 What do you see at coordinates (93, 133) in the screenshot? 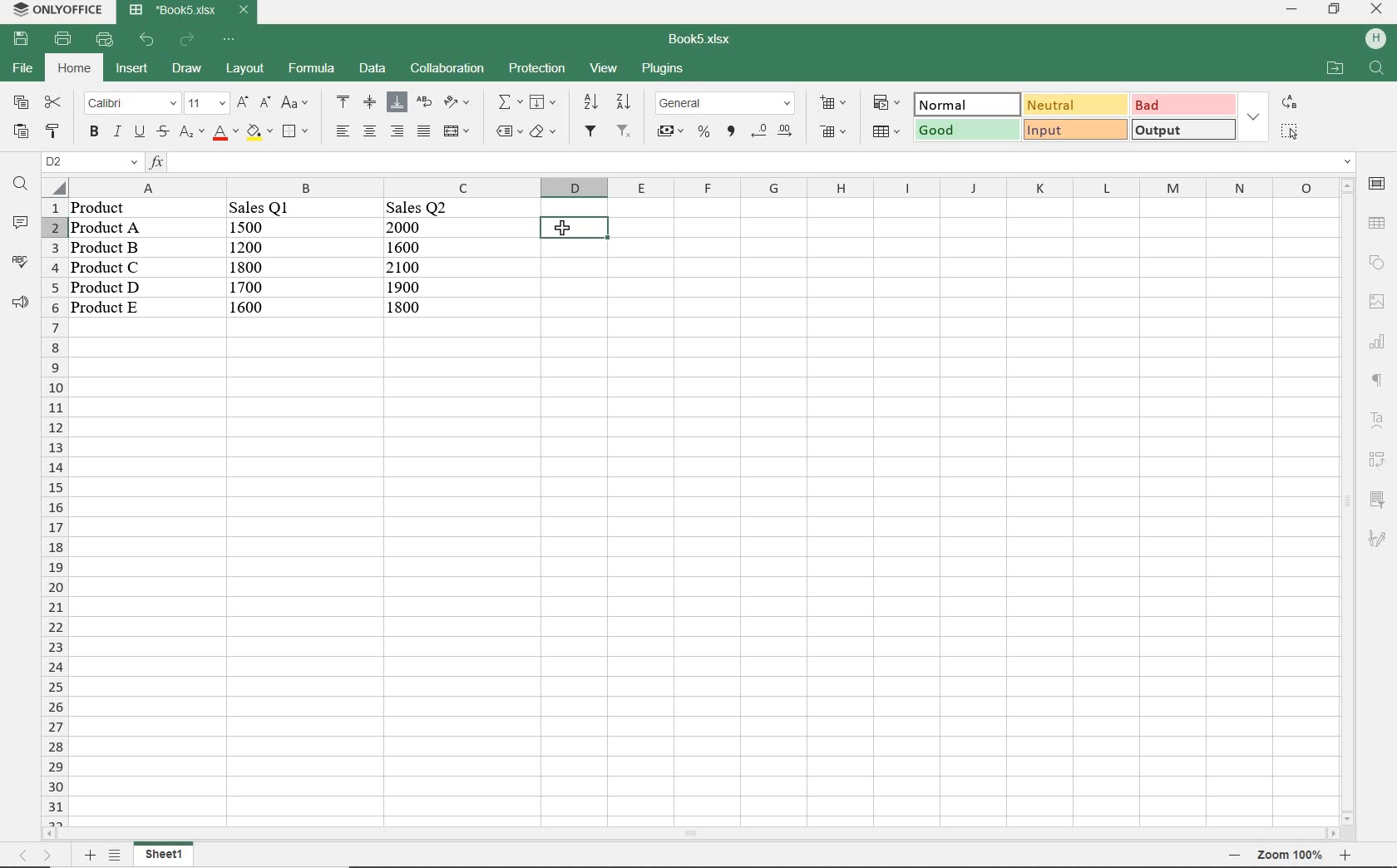
I see `bold` at bounding box center [93, 133].